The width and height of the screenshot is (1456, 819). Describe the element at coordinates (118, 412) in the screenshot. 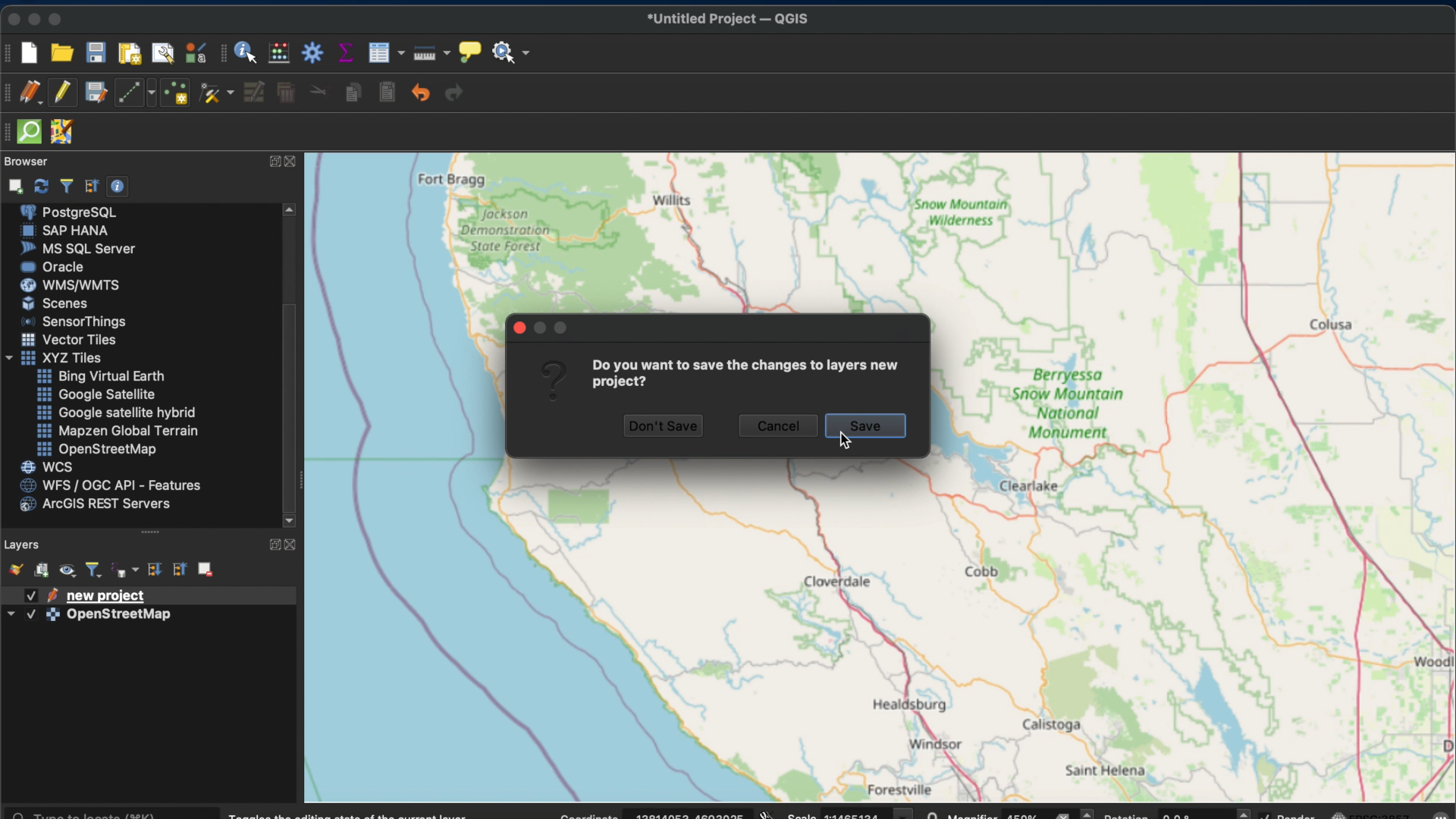

I see `google hybrid satellite` at that location.